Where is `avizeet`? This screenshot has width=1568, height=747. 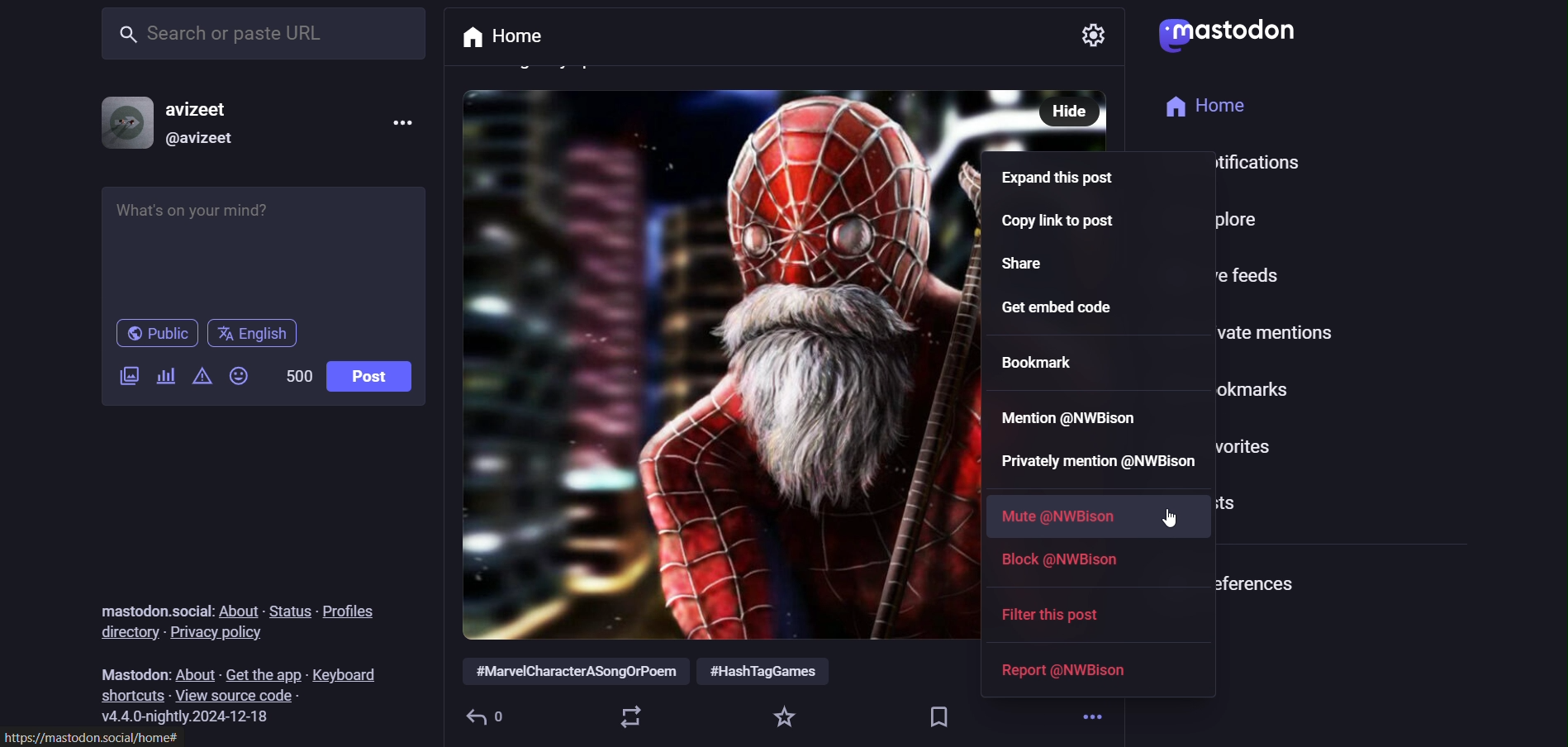 avizeet is located at coordinates (202, 111).